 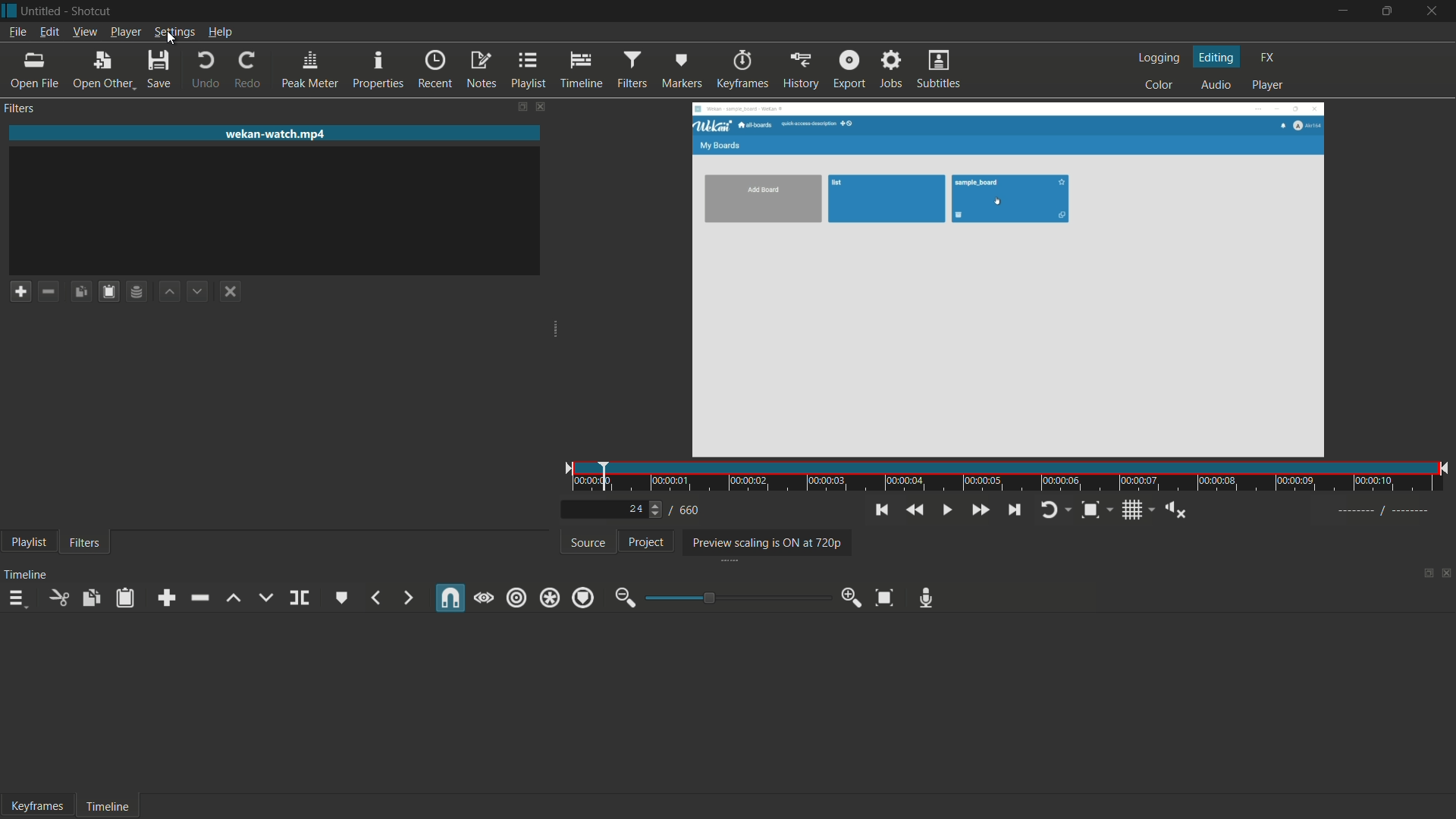 I want to click on player, so click(x=1267, y=86).